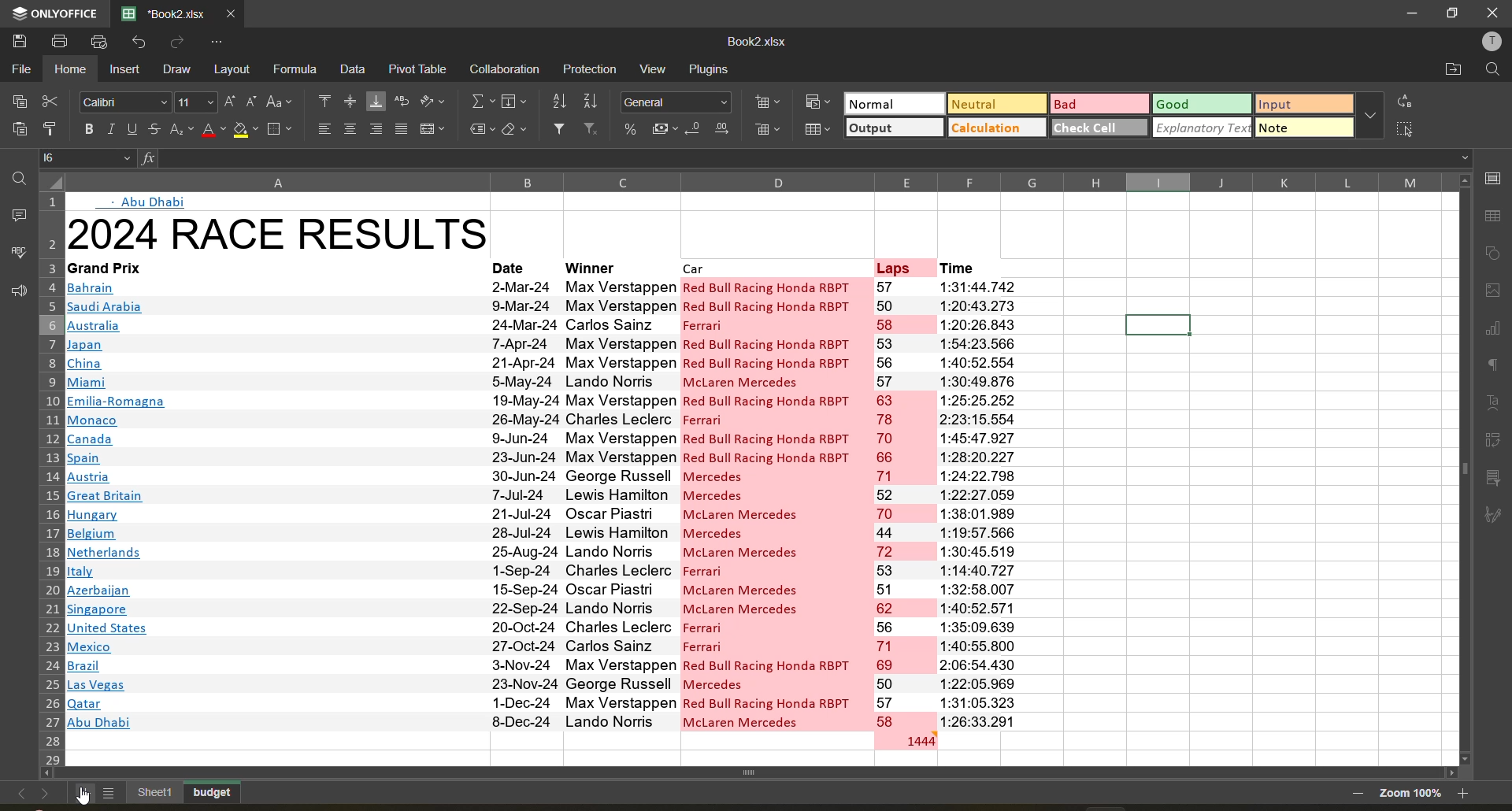 The image size is (1512, 811). I want to click on fields, so click(515, 104).